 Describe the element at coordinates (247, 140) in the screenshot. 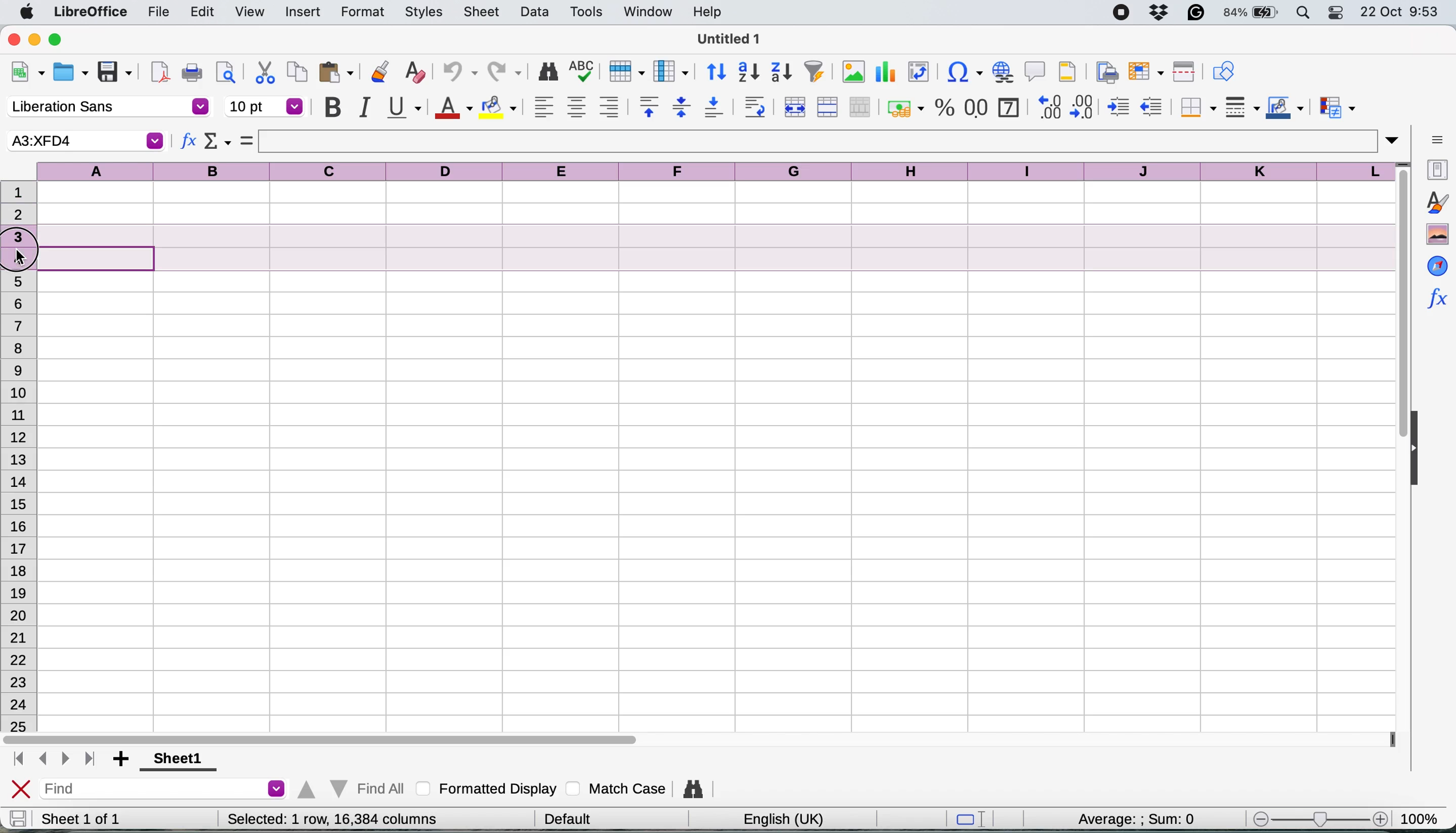

I see `formula ` at that location.